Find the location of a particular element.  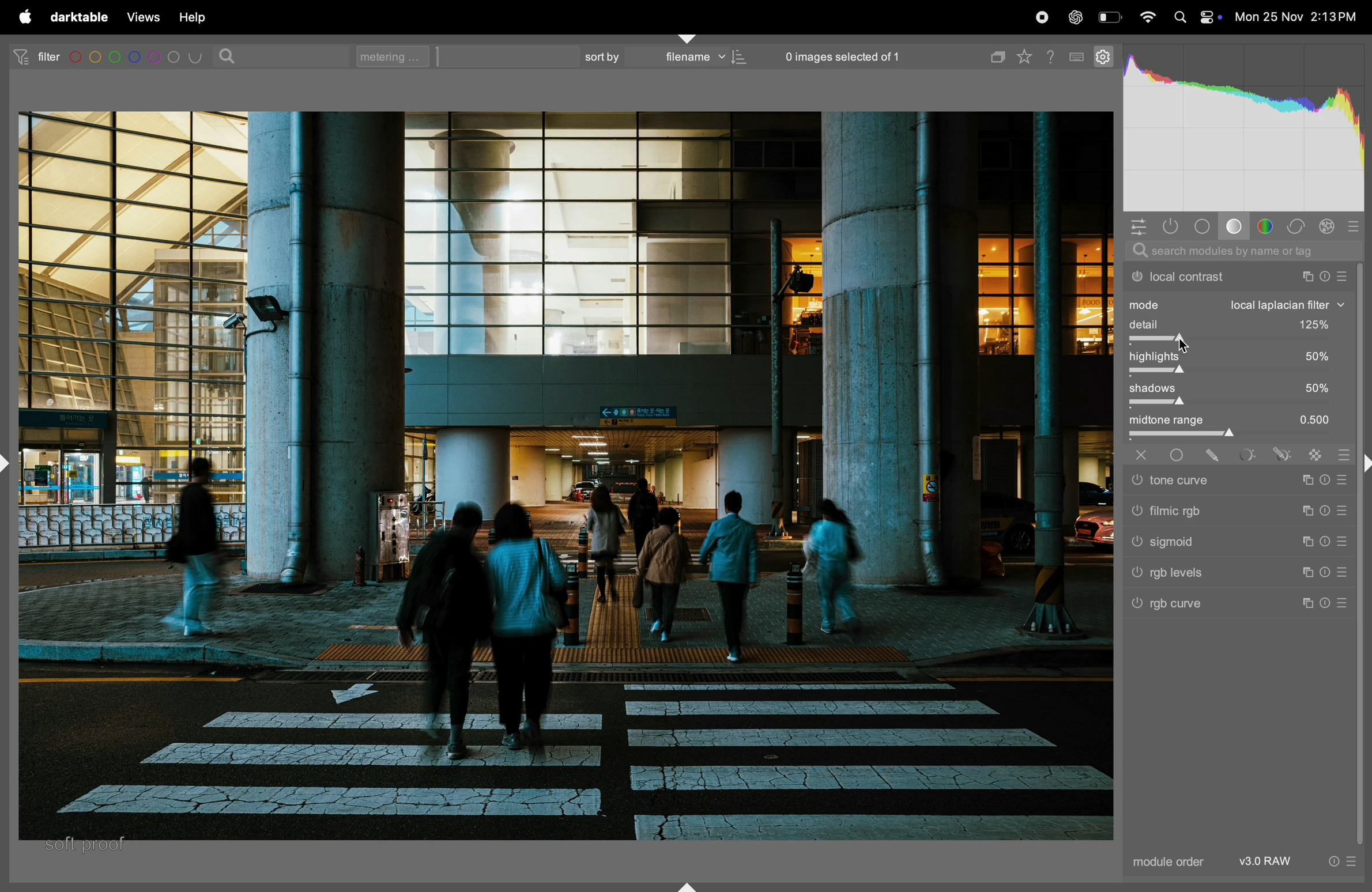

sigmoid switched off is located at coordinates (1134, 544).